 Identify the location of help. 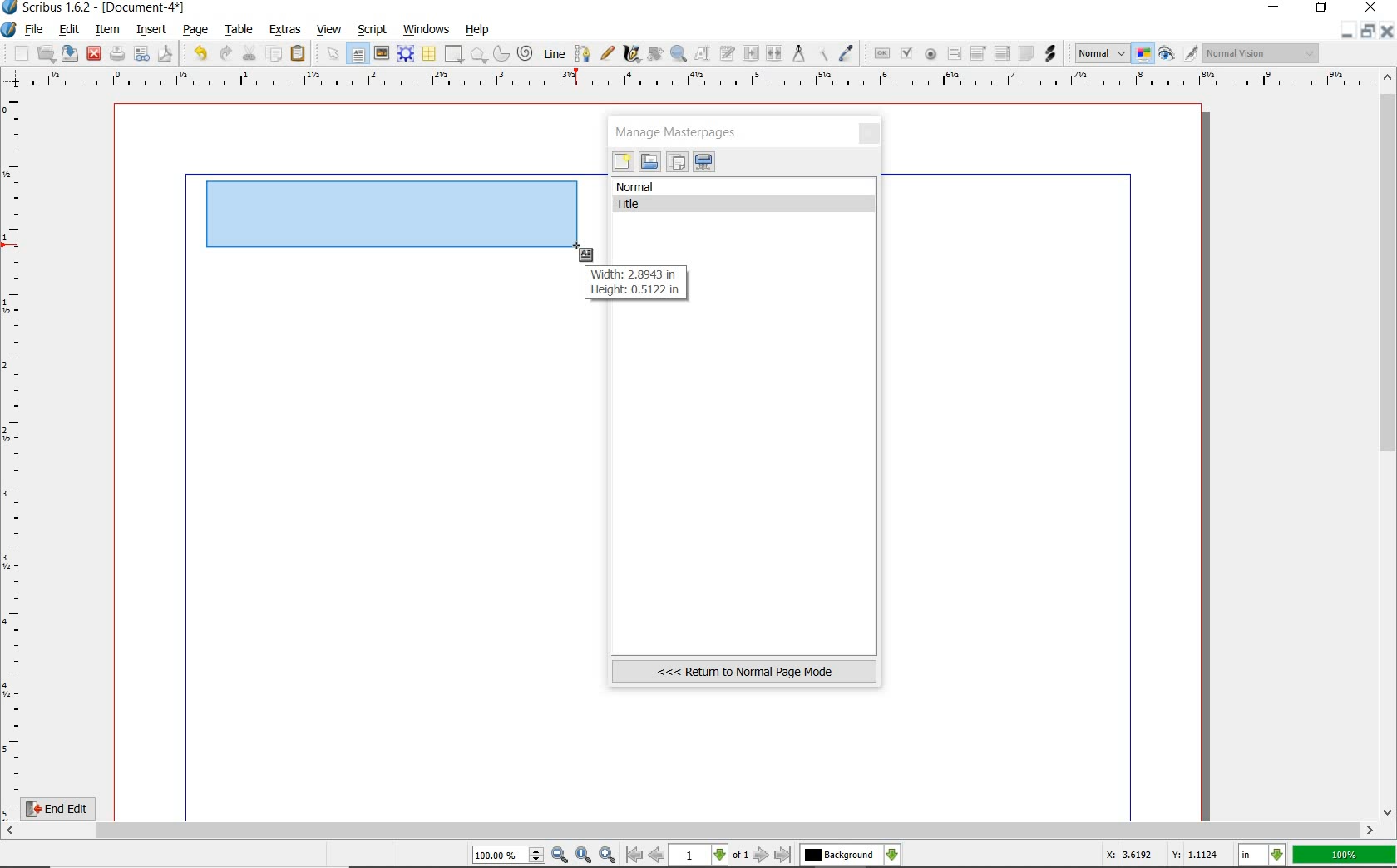
(478, 30).